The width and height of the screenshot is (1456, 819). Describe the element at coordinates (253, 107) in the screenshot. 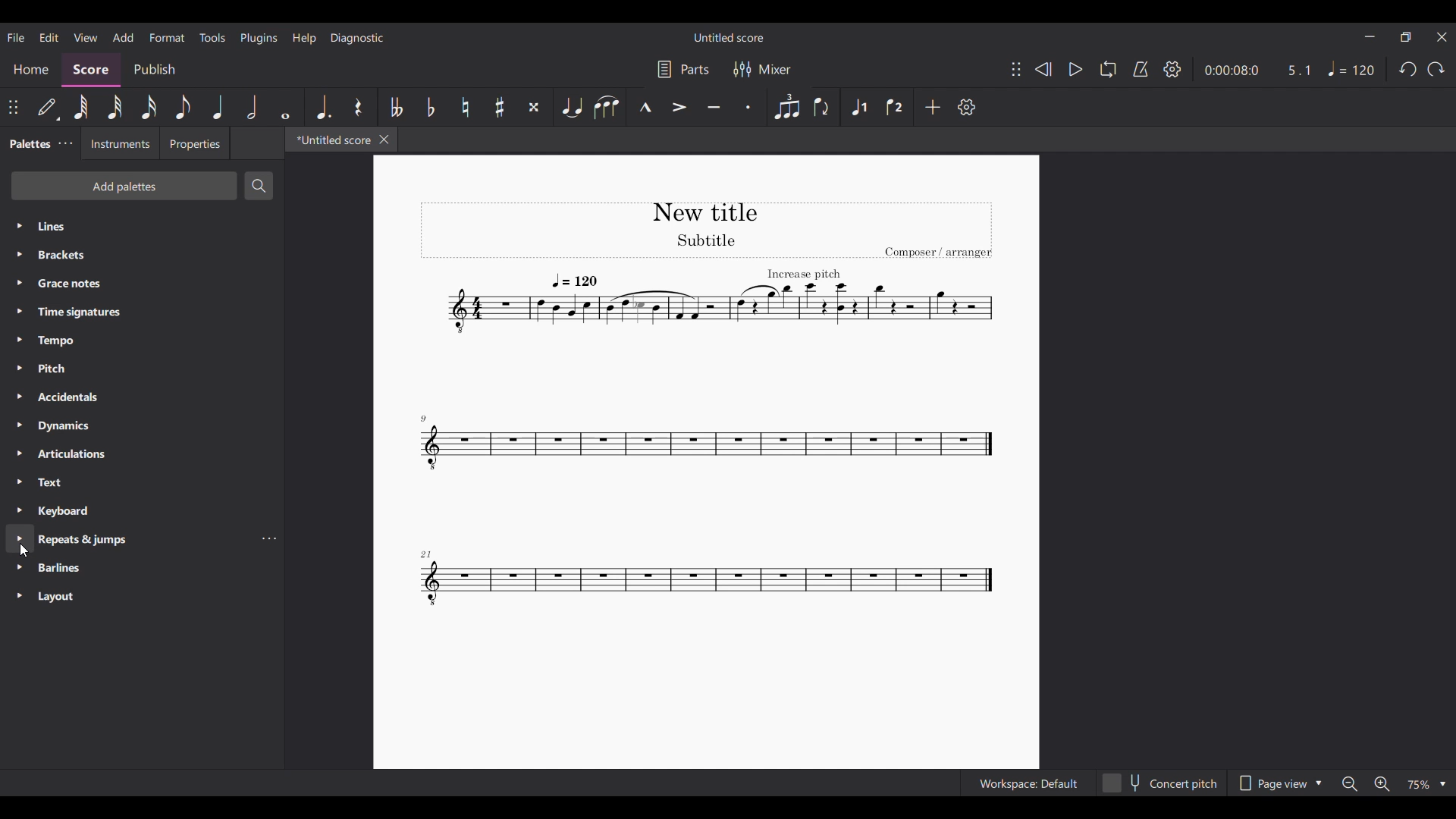

I see `Half note` at that location.